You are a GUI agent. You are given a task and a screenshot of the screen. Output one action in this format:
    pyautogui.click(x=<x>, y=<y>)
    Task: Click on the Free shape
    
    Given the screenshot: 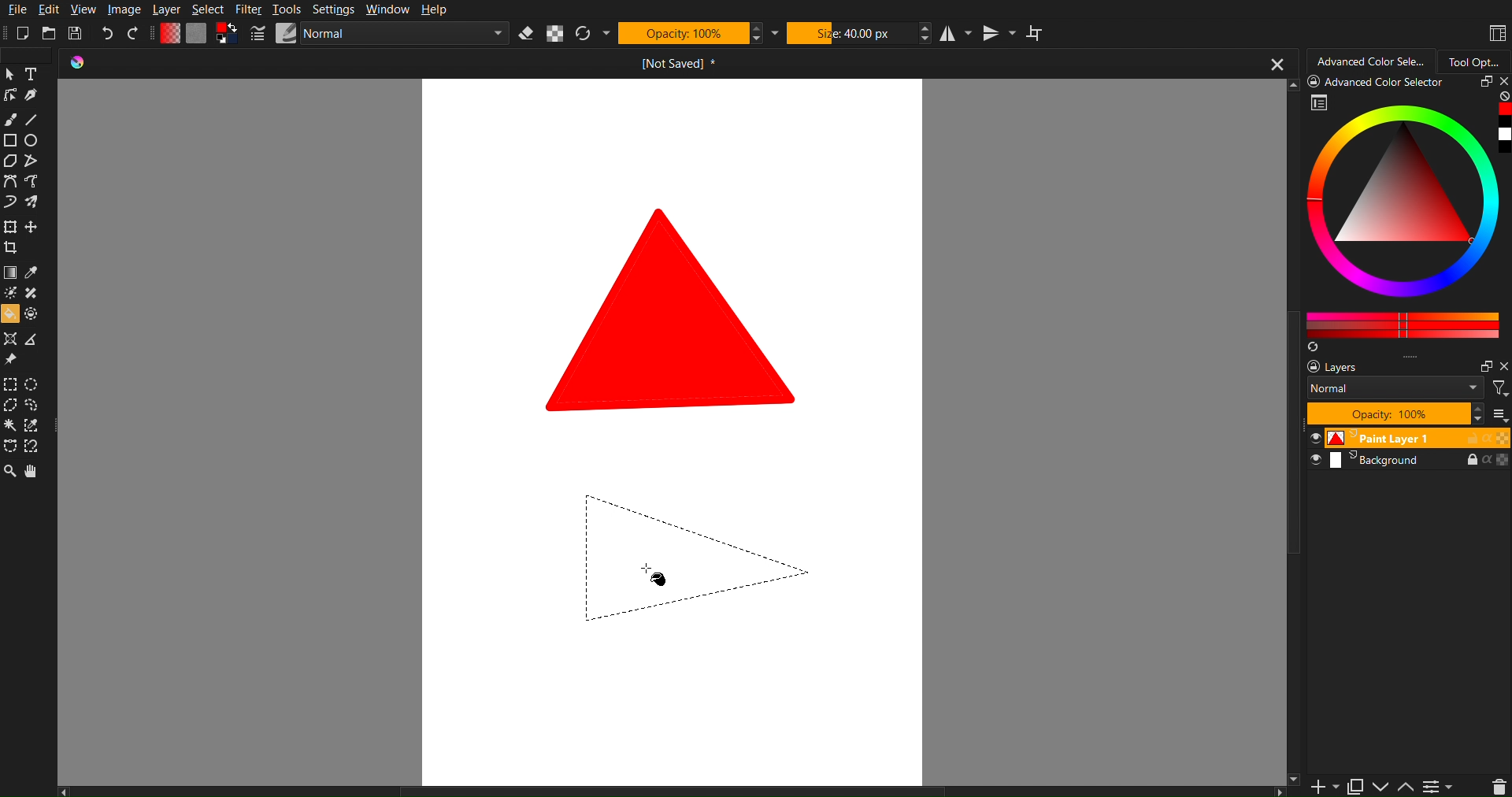 What is the action you would take?
    pyautogui.click(x=32, y=202)
    